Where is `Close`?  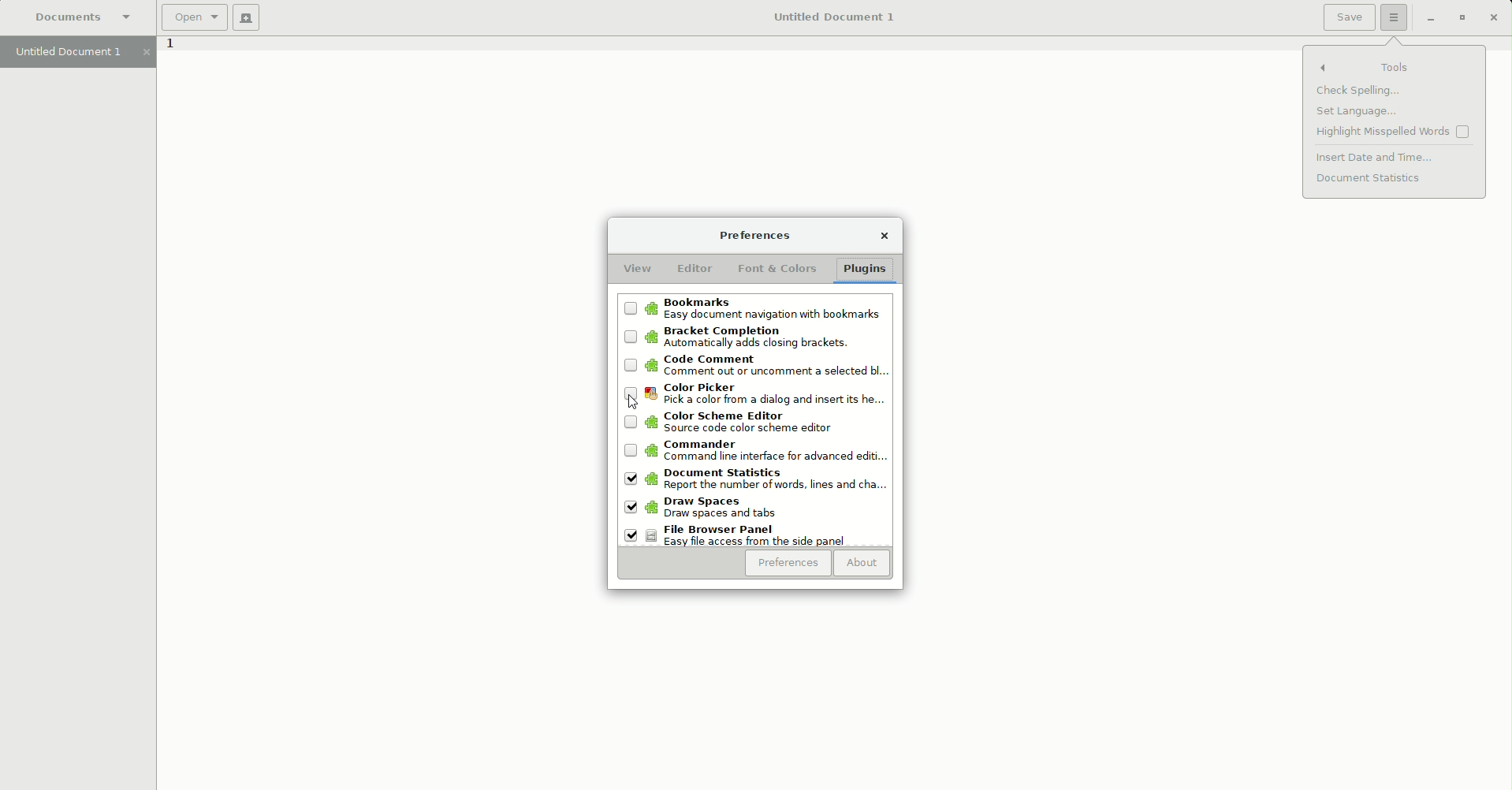
Close is located at coordinates (884, 237).